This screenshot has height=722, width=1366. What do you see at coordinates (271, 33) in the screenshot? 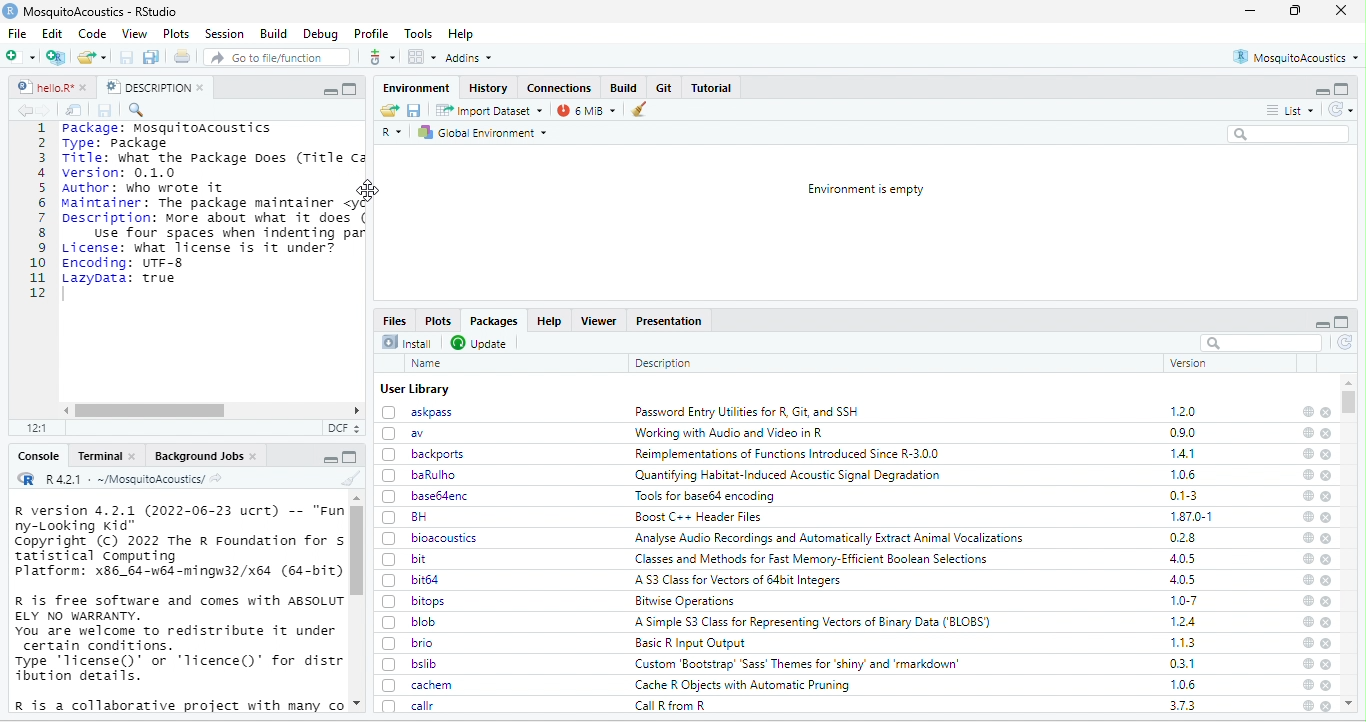
I see `Build` at bounding box center [271, 33].